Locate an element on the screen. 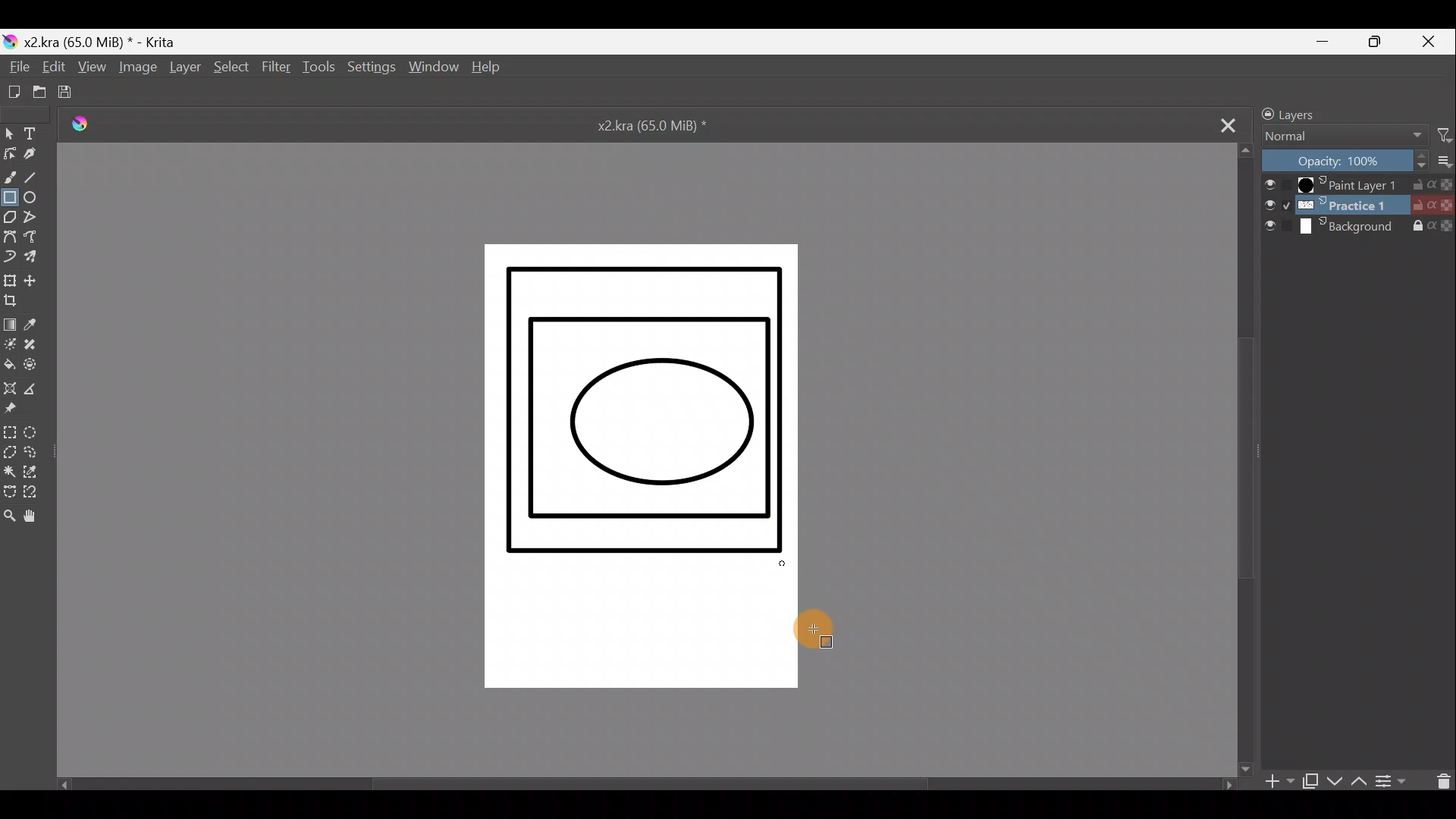  Select is located at coordinates (234, 68).